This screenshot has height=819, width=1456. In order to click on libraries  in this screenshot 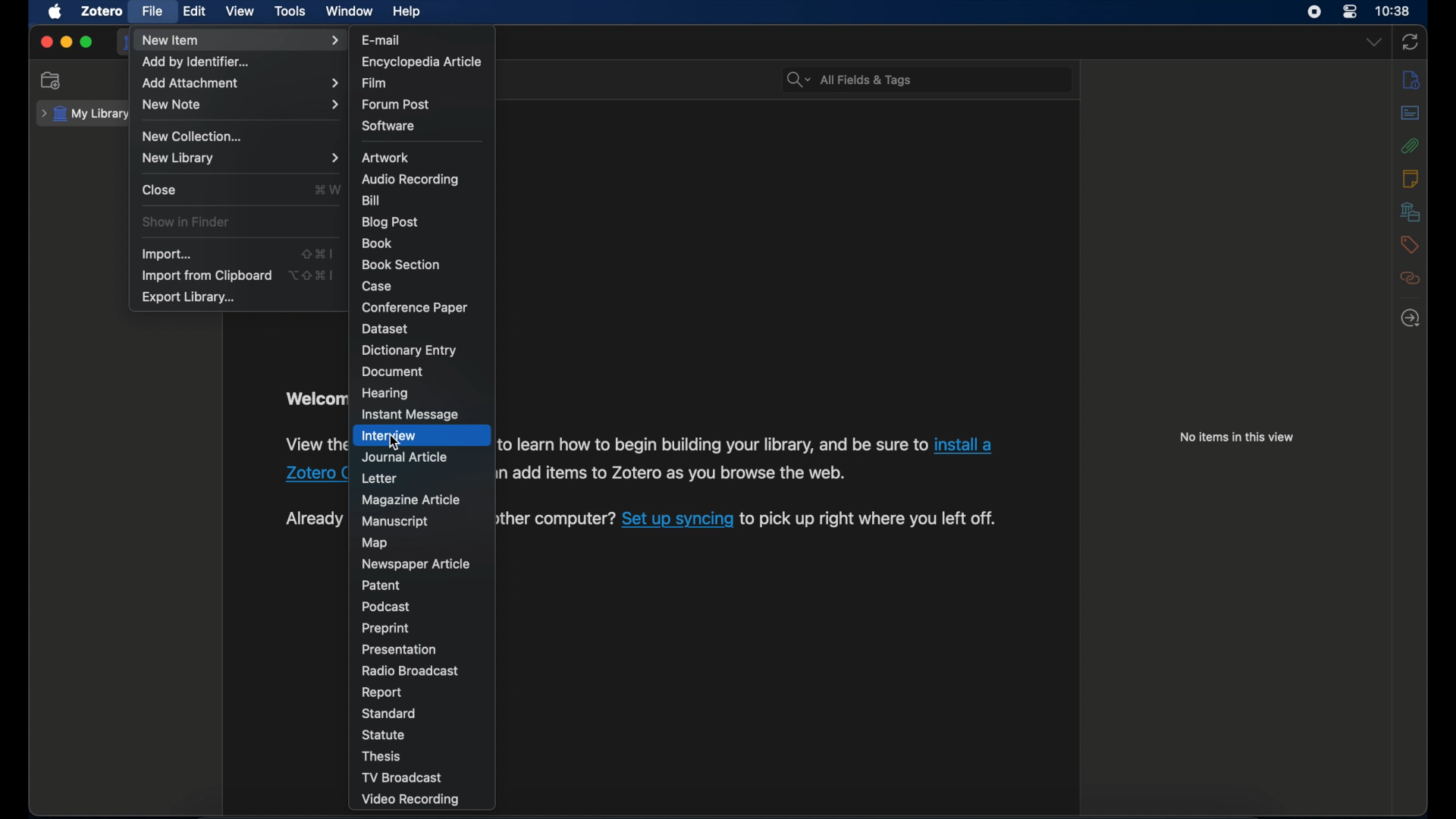, I will do `click(1410, 212)`.